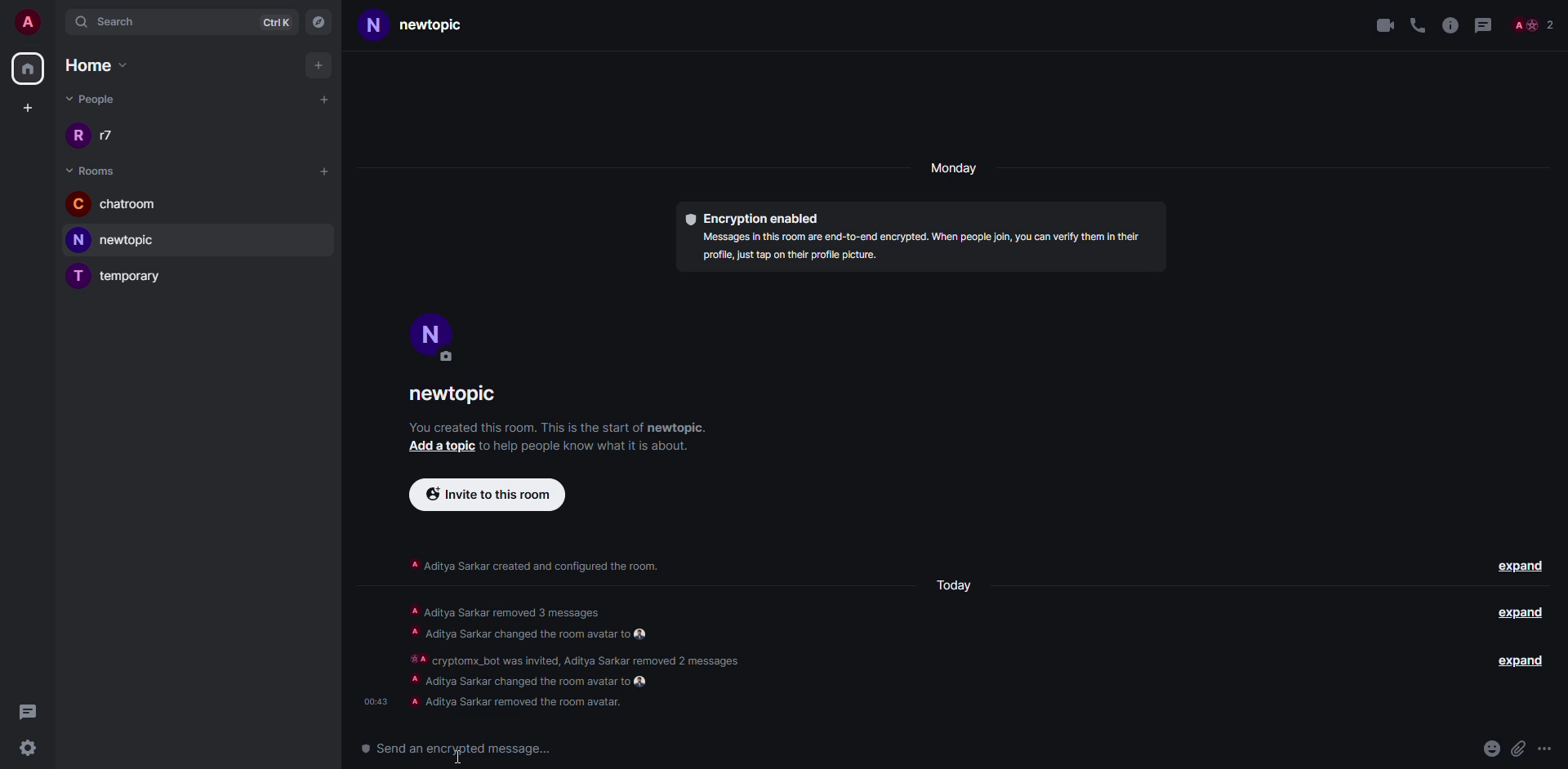 This screenshot has height=769, width=1568. What do you see at coordinates (595, 445) in the screenshot?
I see `s to help people know what it is about.` at bounding box center [595, 445].